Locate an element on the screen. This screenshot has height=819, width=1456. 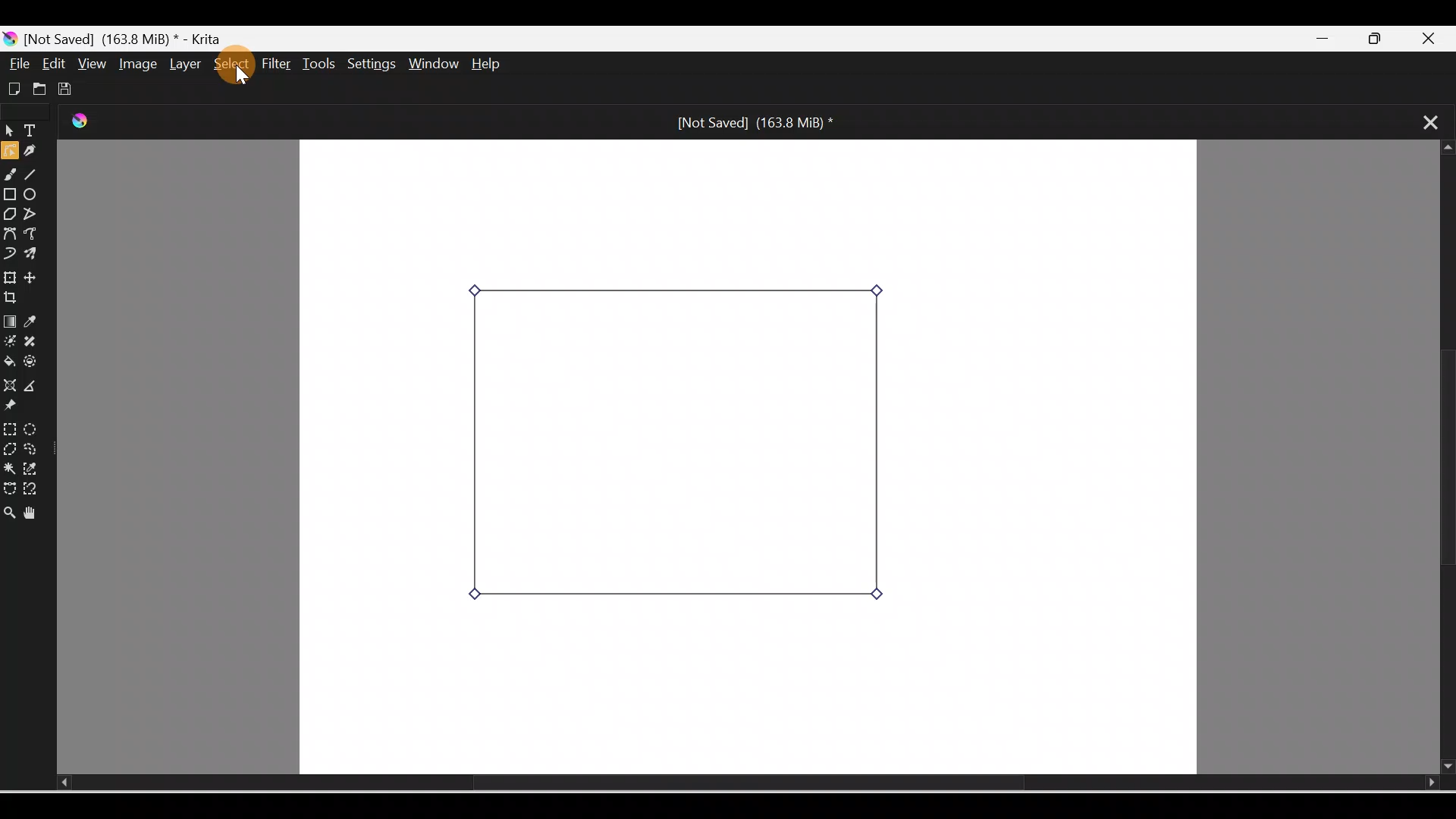
Create new document is located at coordinates (12, 87).